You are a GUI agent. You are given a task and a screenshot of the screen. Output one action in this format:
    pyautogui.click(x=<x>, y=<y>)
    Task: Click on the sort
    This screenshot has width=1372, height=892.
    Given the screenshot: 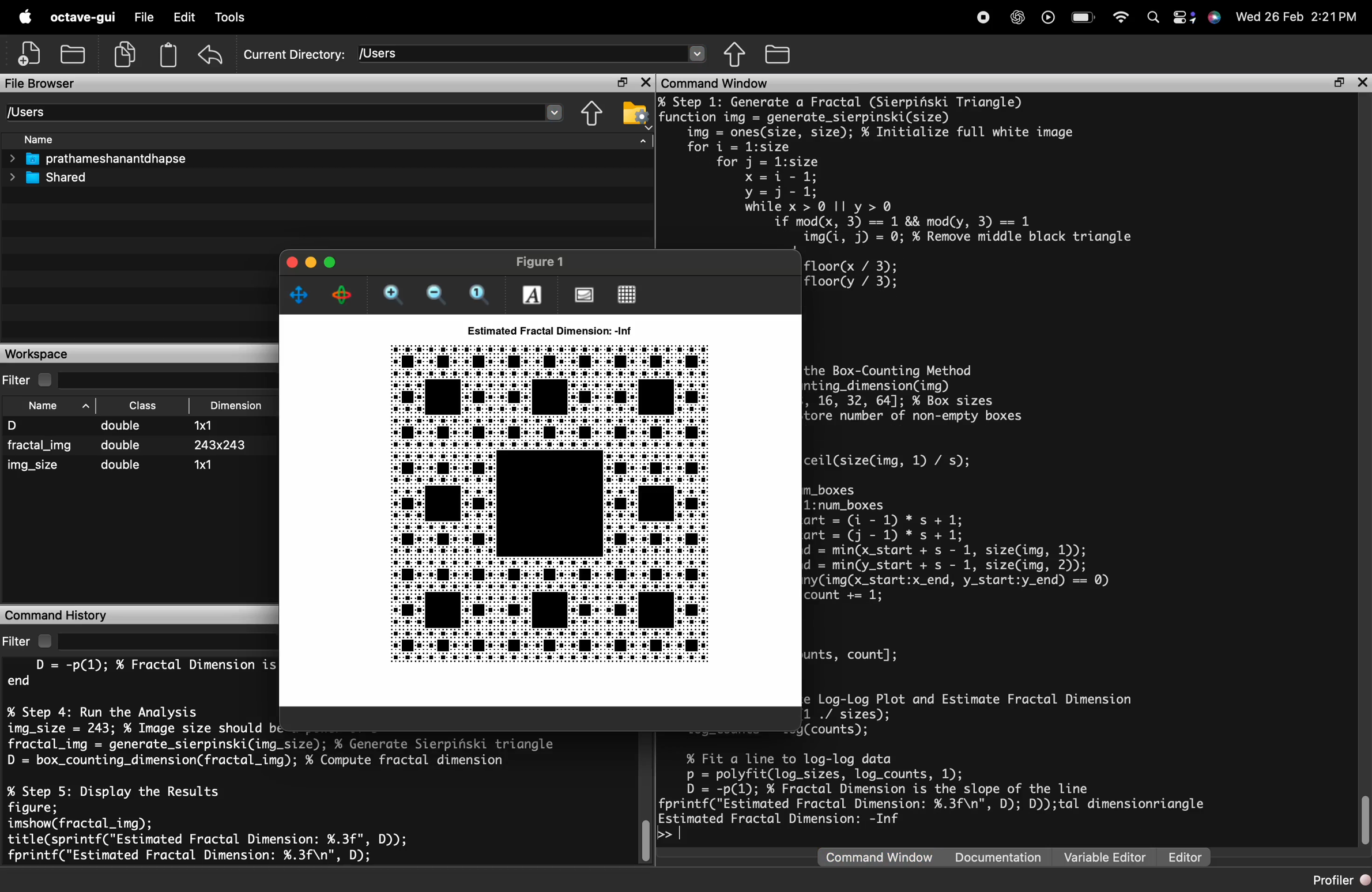 What is the action you would take?
    pyautogui.click(x=643, y=142)
    